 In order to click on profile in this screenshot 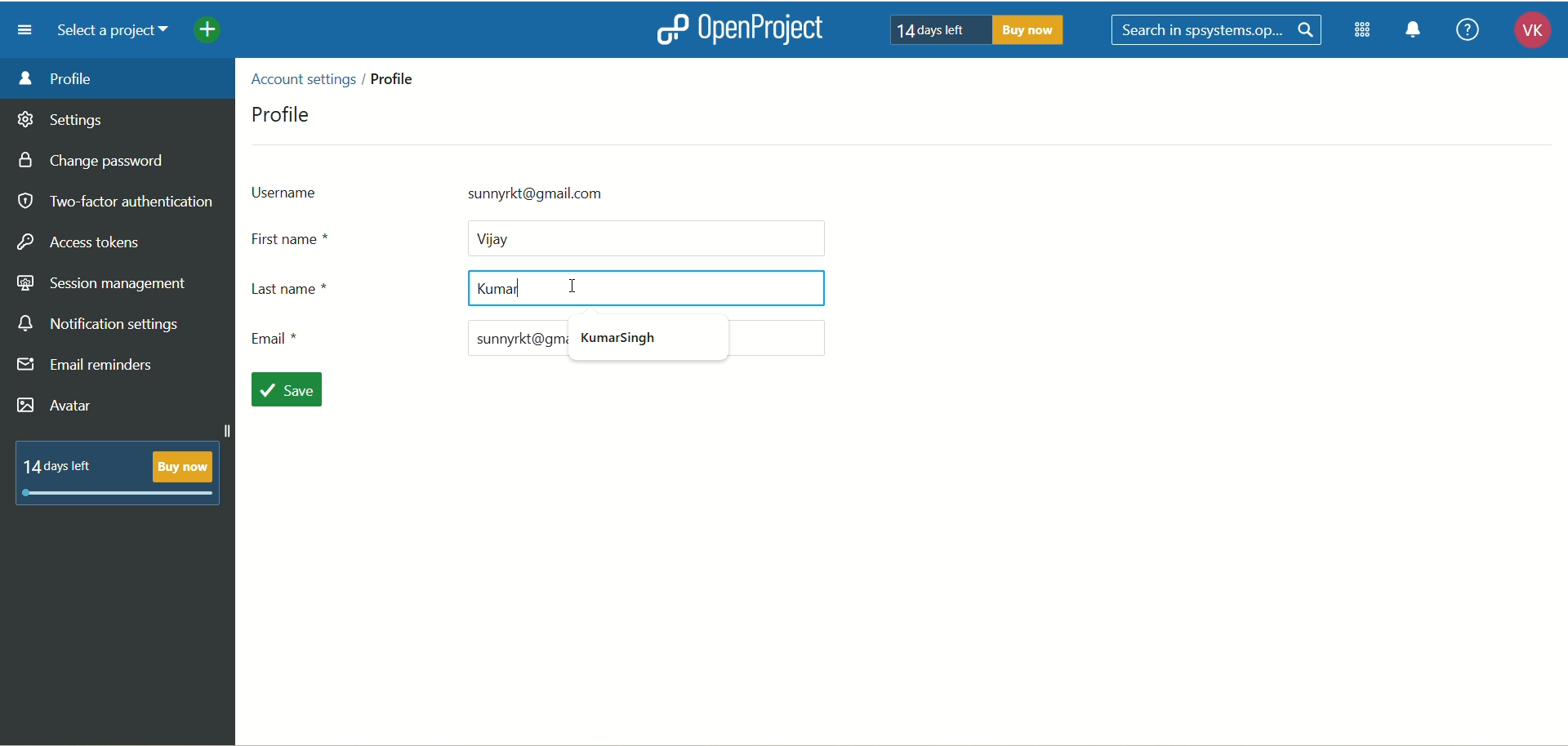, I will do `click(283, 113)`.